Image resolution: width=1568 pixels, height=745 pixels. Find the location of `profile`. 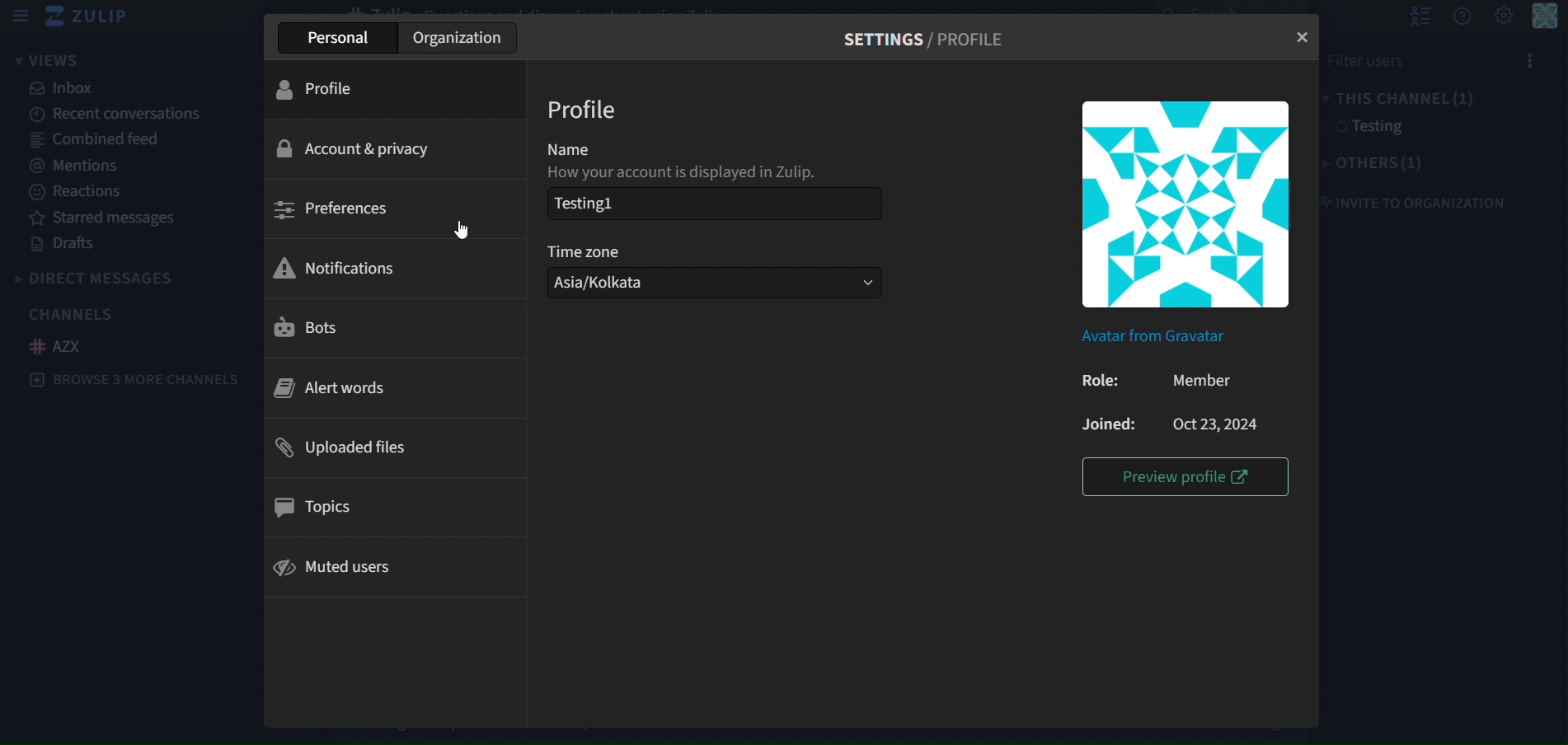

profile is located at coordinates (582, 110).